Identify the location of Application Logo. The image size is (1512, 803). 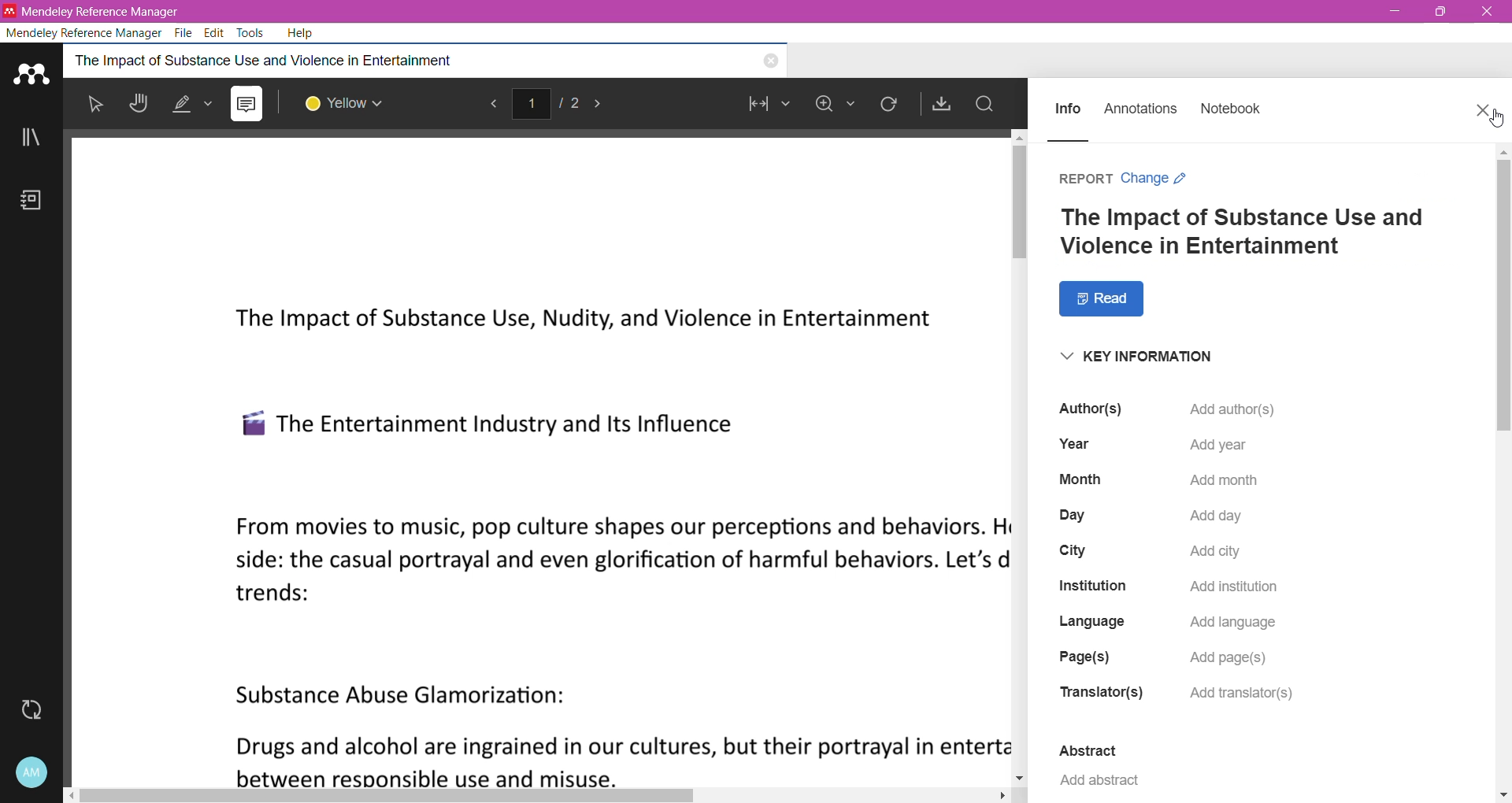
(32, 72).